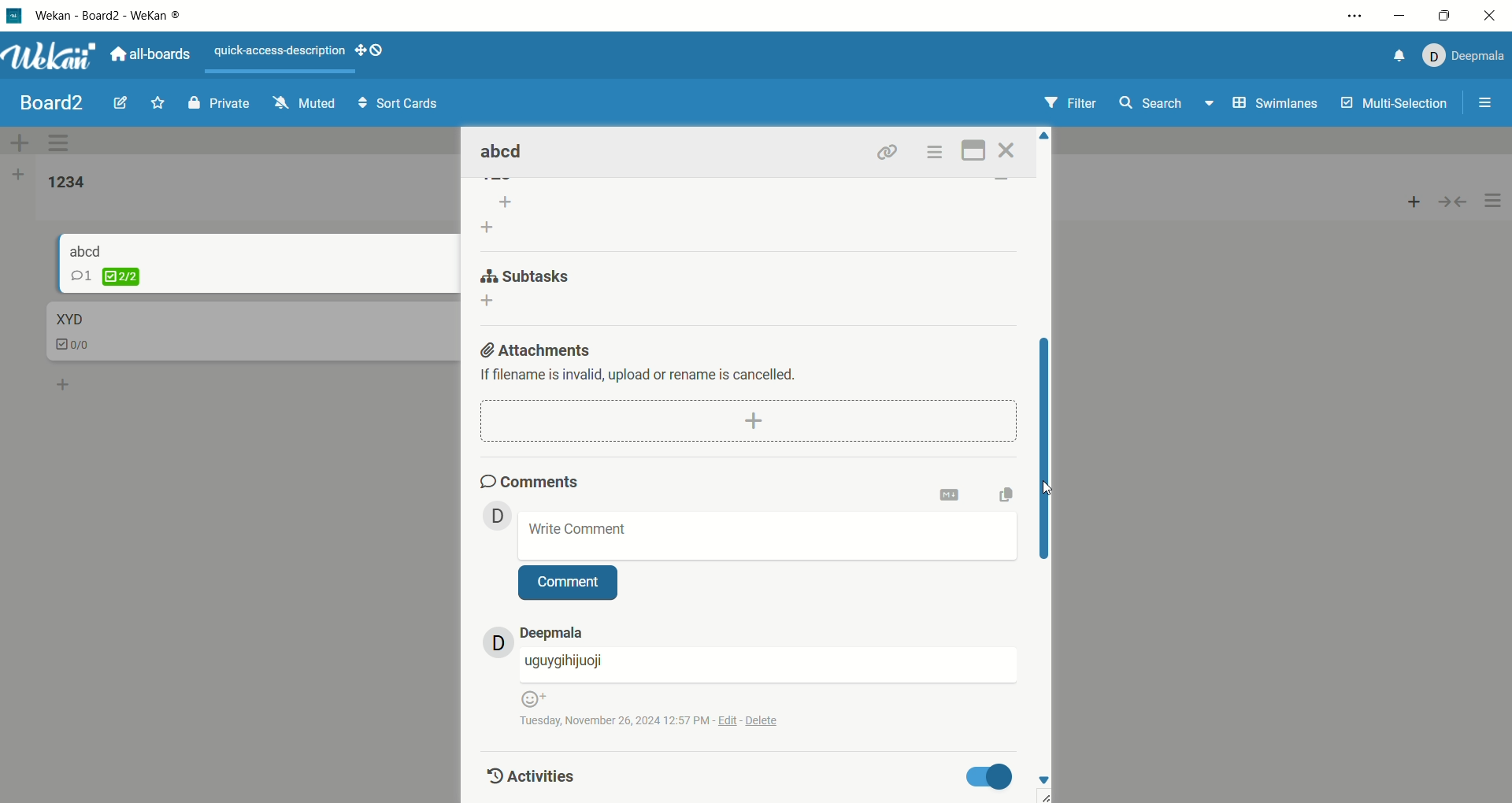 Image resolution: width=1512 pixels, height=803 pixels. Describe the element at coordinates (305, 102) in the screenshot. I see `muted` at that location.